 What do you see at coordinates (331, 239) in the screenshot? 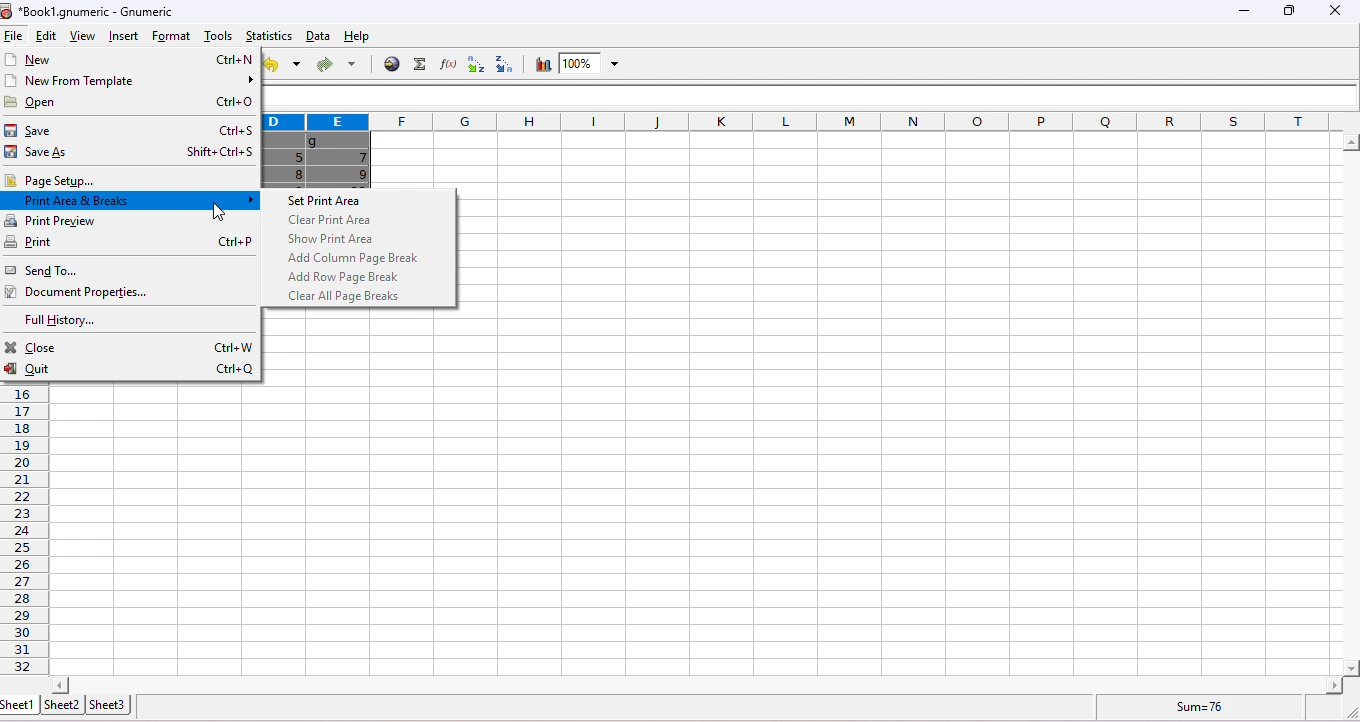
I see `show print area` at bounding box center [331, 239].